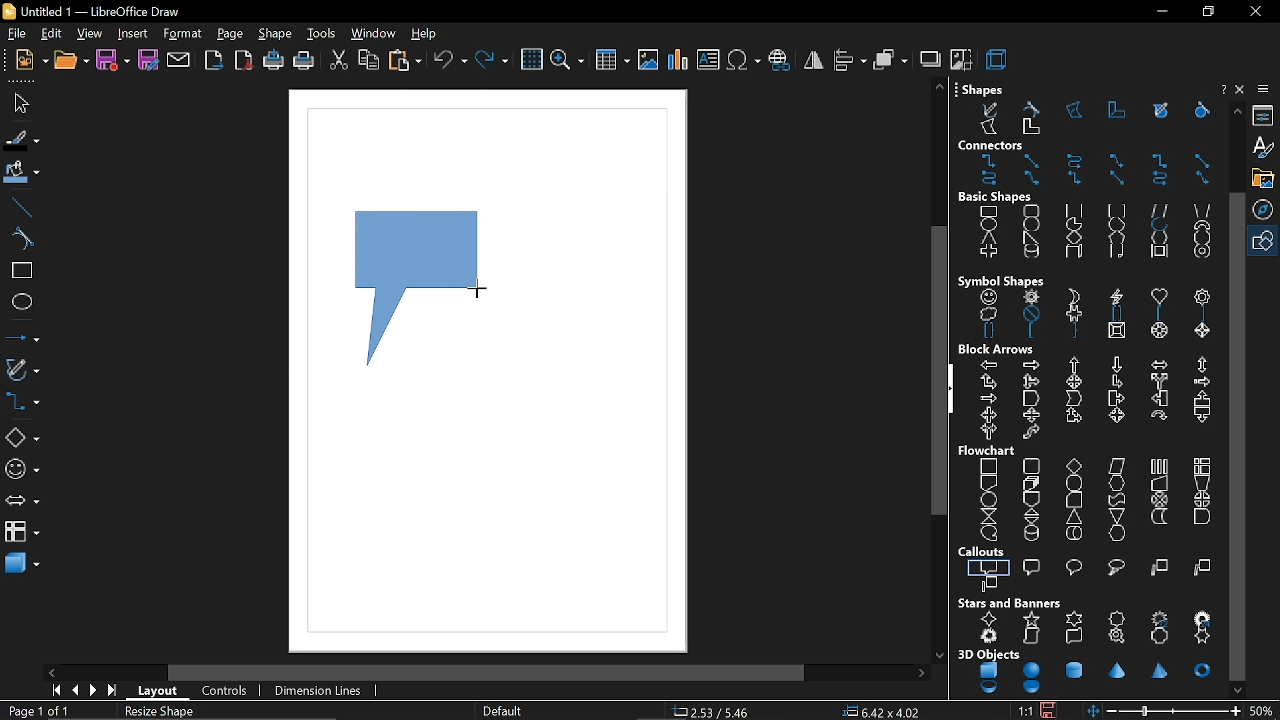  What do you see at coordinates (881, 712) in the screenshot?
I see `position` at bounding box center [881, 712].